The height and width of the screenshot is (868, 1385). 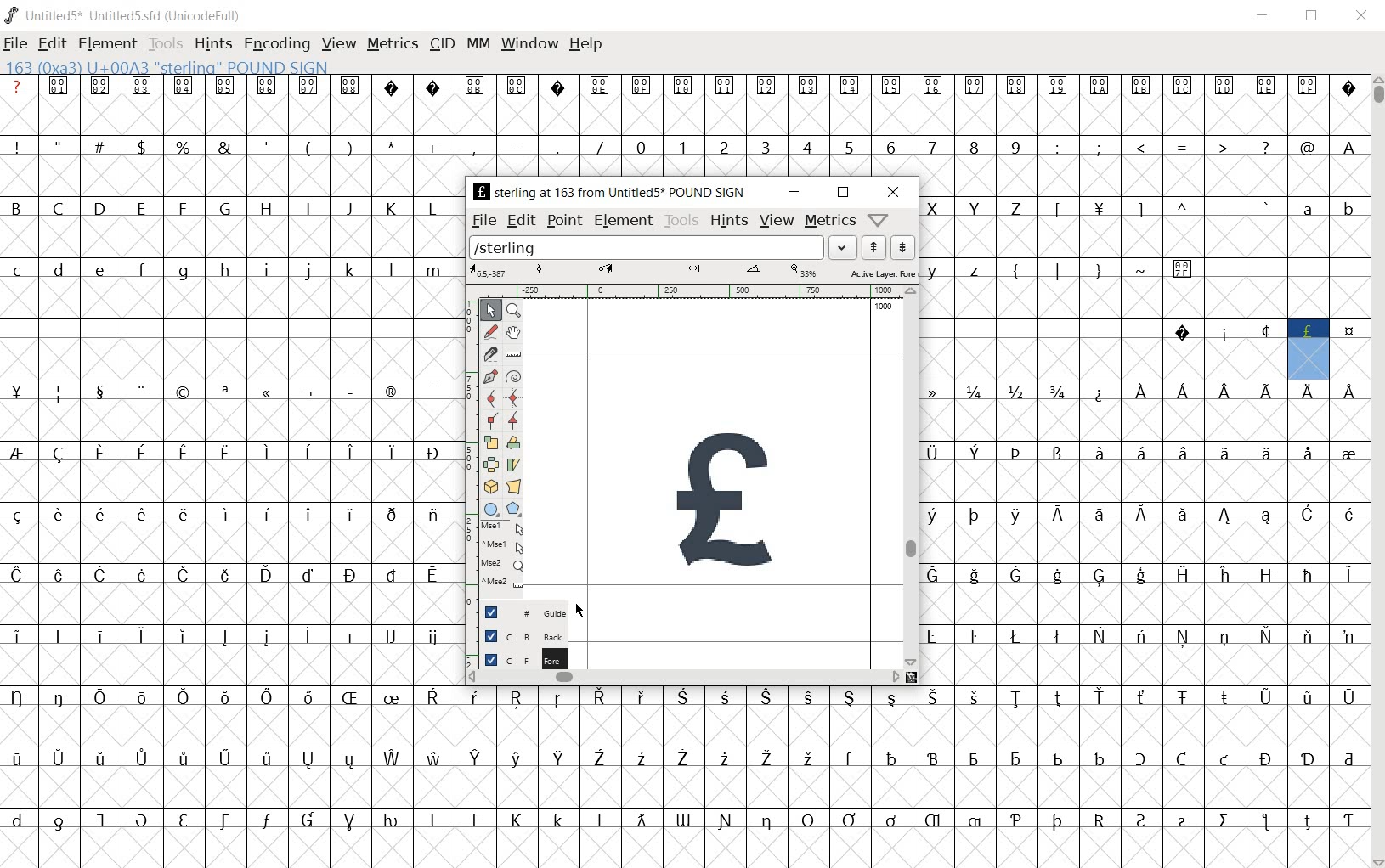 What do you see at coordinates (432, 699) in the screenshot?
I see `Symbol` at bounding box center [432, 699].